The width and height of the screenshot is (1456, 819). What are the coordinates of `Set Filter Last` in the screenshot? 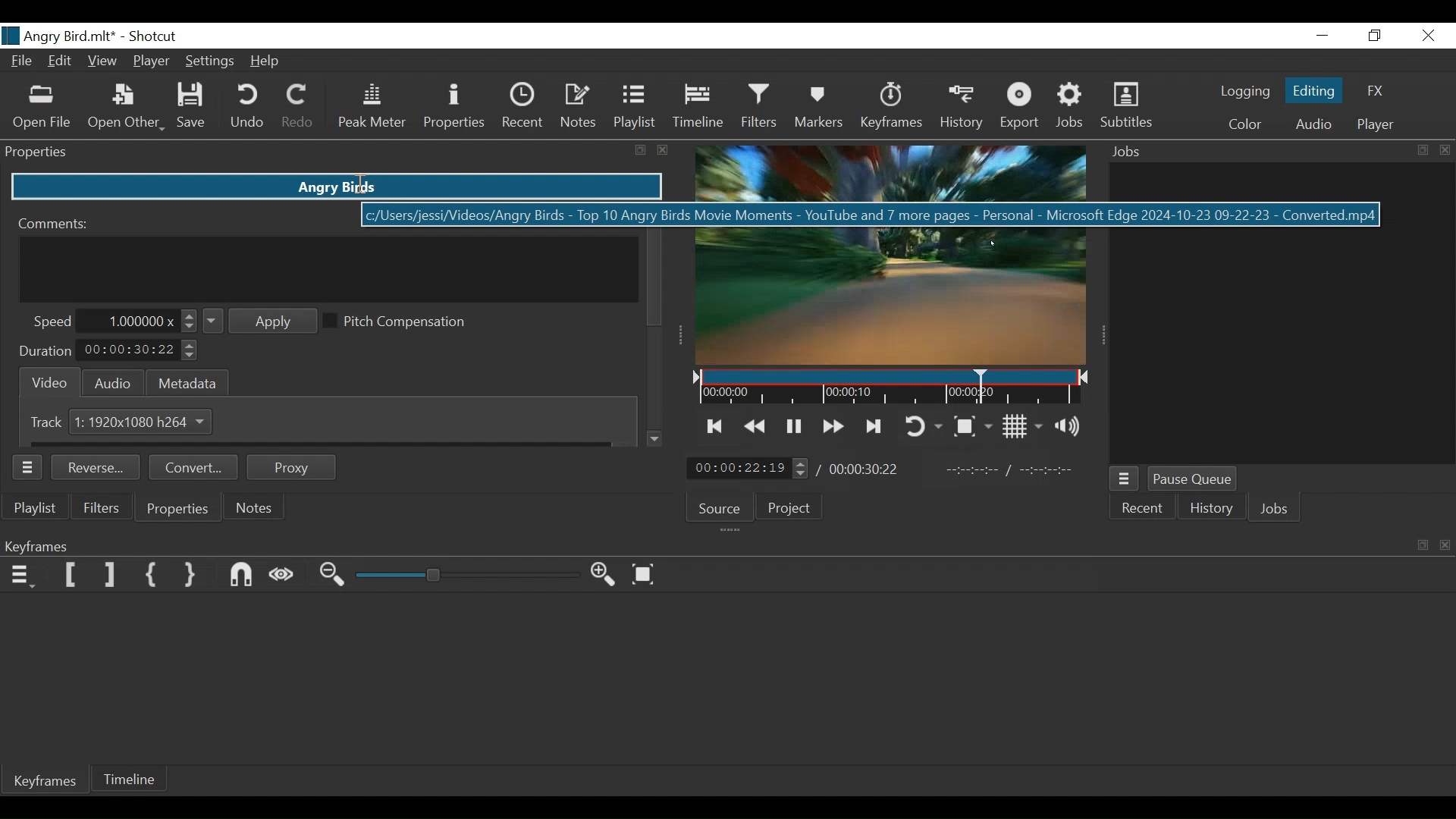 It's located at (111, 576).